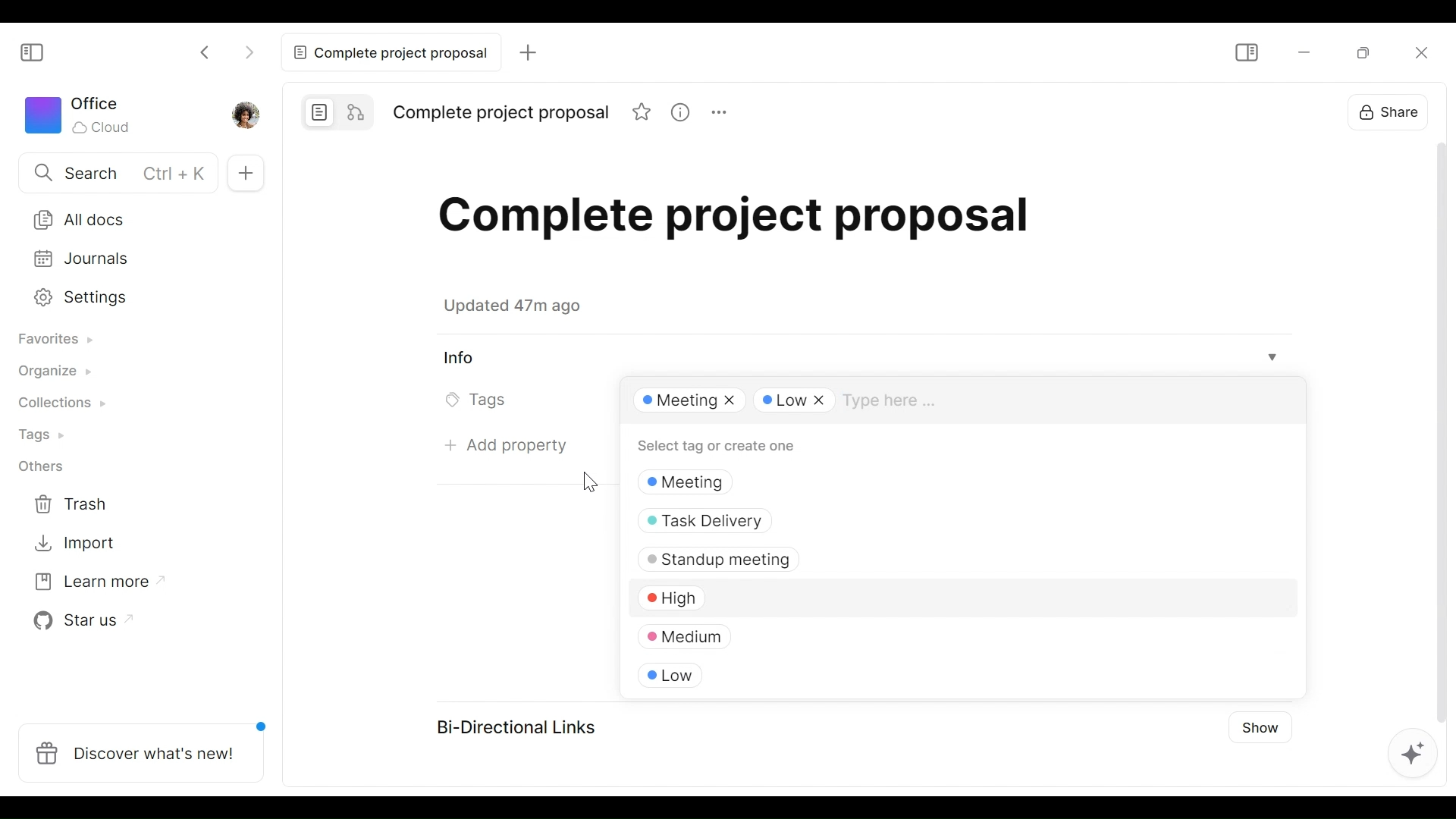 The width and height of the screenshot is (1456, 819). What do you see at coordinates (795, 401) in the screenshot?
I see `Low X` at bounding box center [795, 401].